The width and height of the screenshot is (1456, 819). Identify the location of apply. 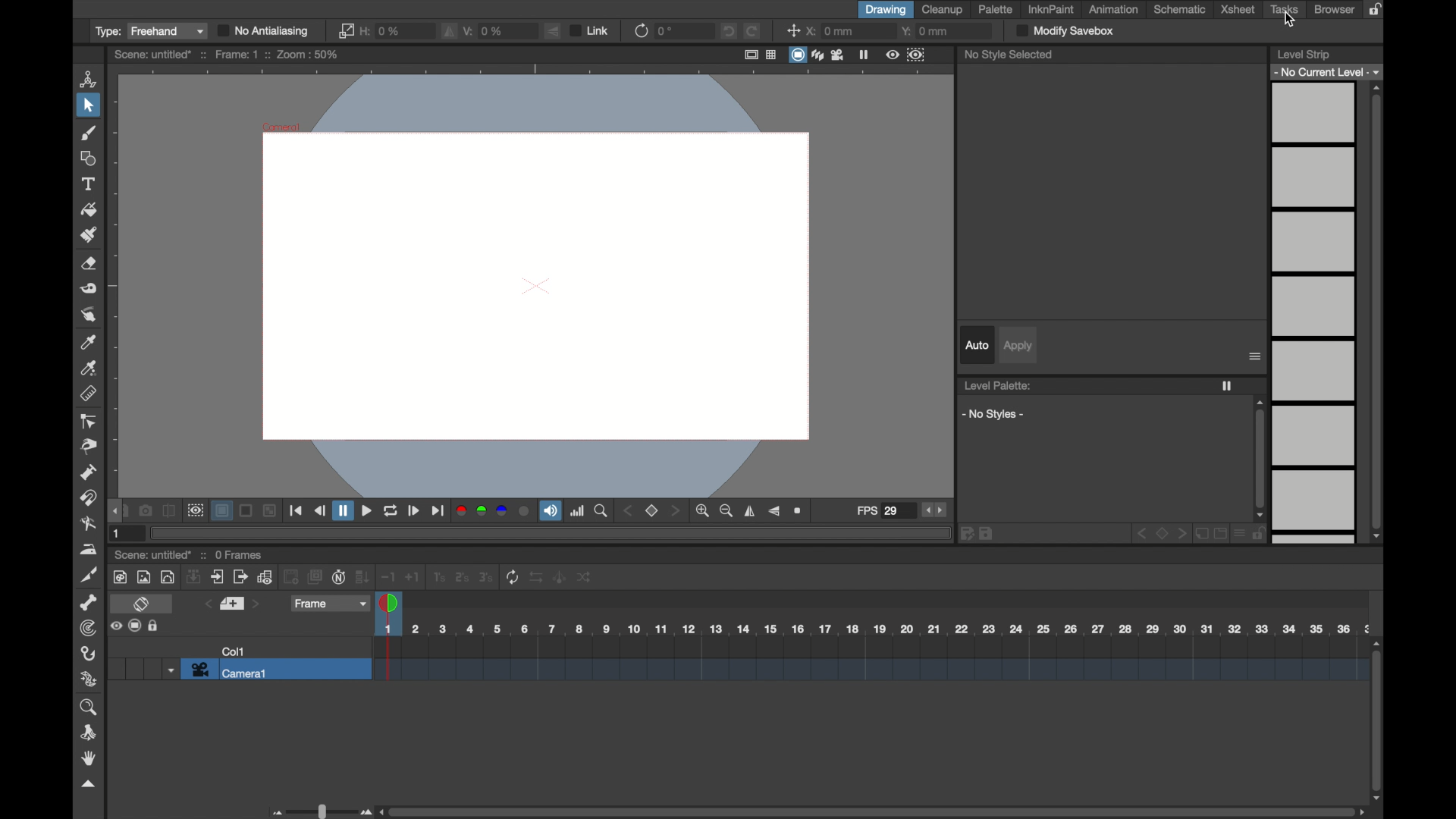
(1019, 347).